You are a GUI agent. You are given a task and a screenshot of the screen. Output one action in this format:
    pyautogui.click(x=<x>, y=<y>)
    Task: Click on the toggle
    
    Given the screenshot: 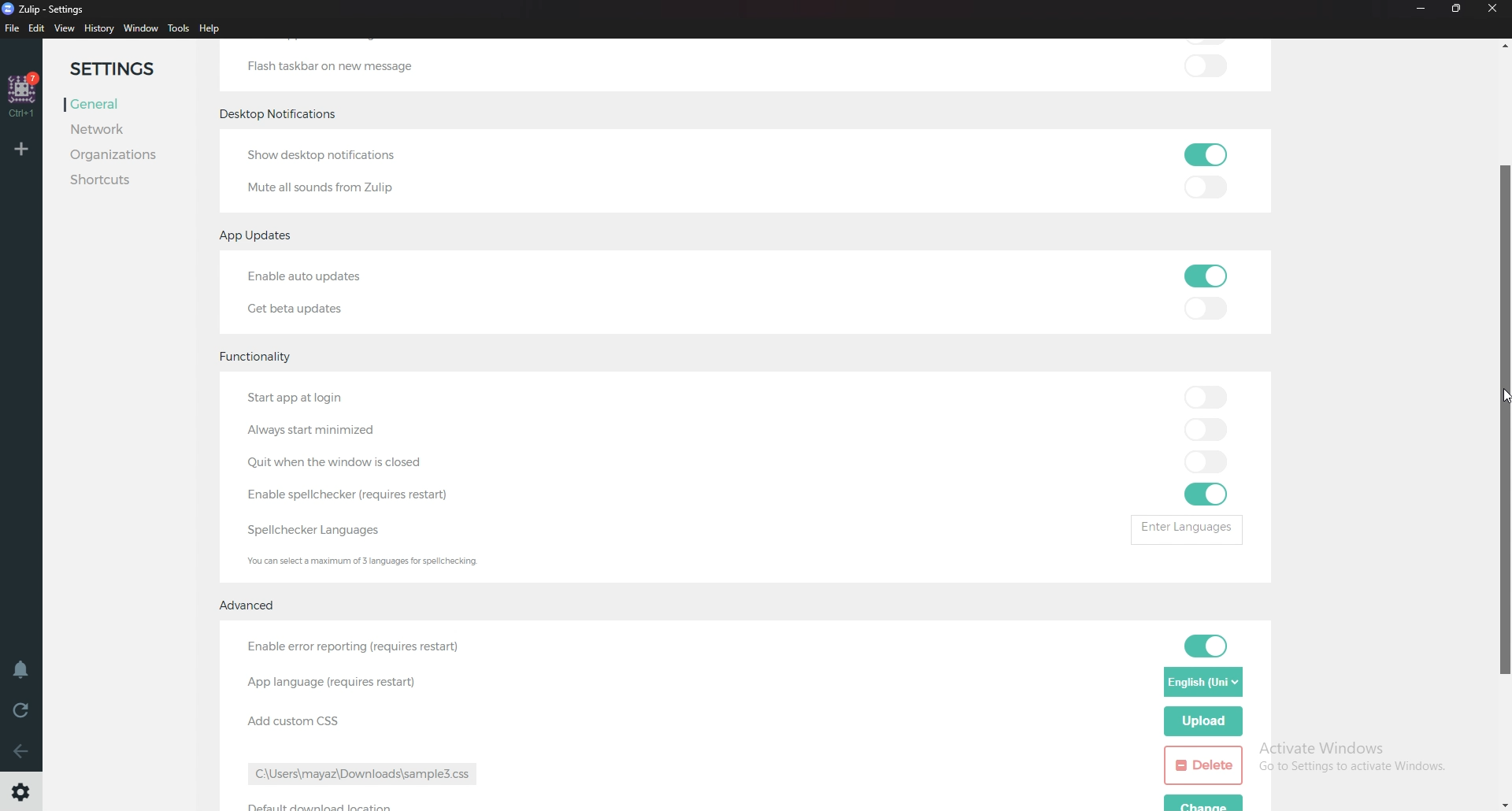 What is the action you would take?
    pyautogui.click(x=1206, y=154)
    